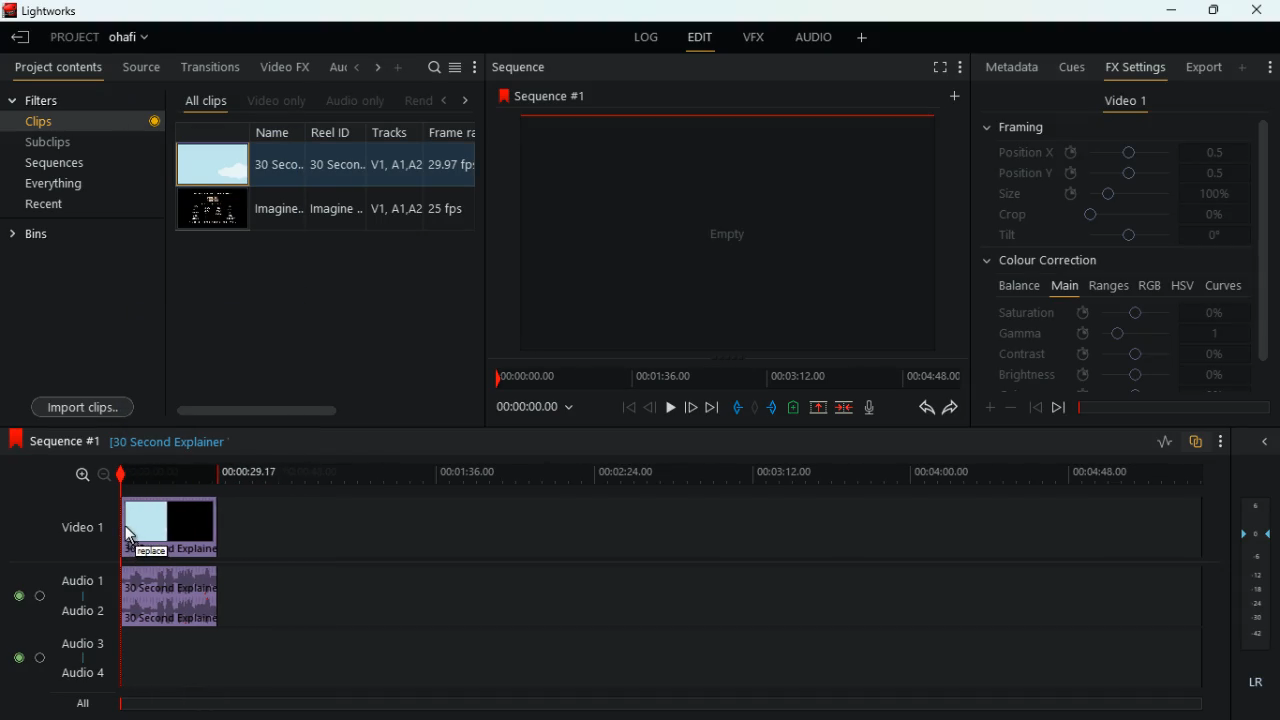 The width and height of the screenshot is (1280, 720). Describe the element at coordinates (300, 407) in the screenshot. I see `scroll` at that location.